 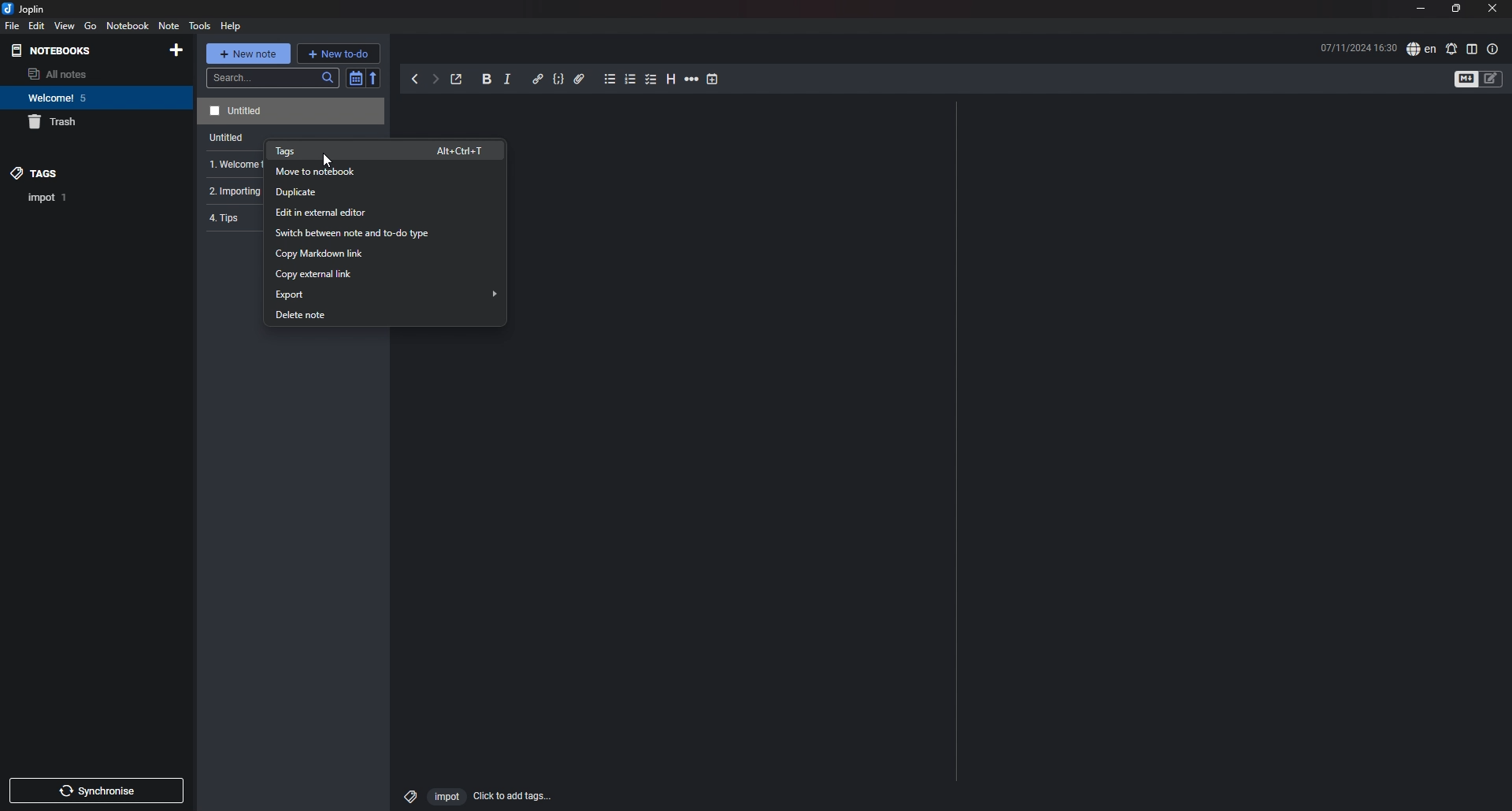 I want to click on move to notebook, so click(x=386, y=172).